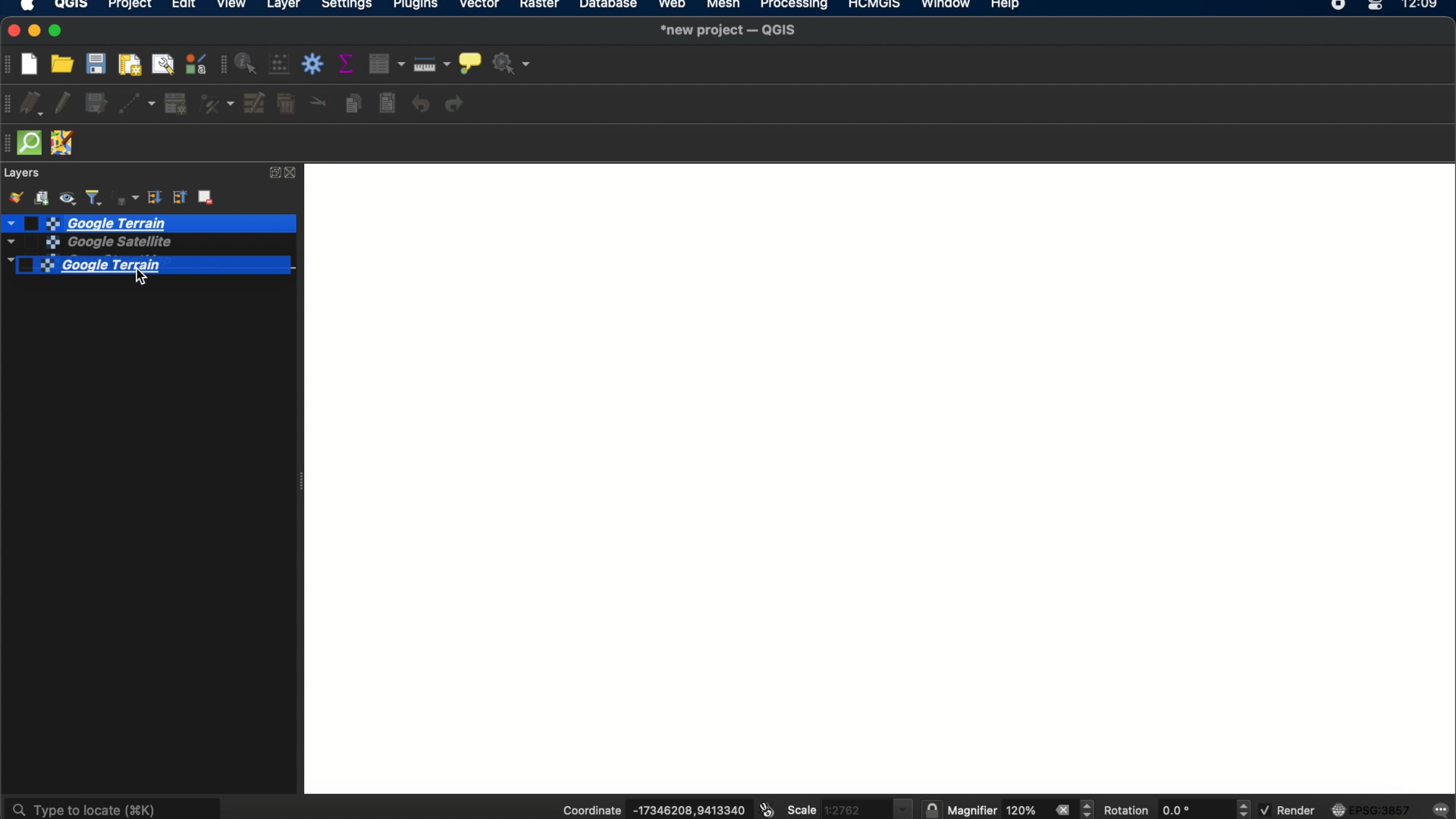 This screenshot has height=819, width=1456. I want to click on filter legend by expression, so click(124, 196).